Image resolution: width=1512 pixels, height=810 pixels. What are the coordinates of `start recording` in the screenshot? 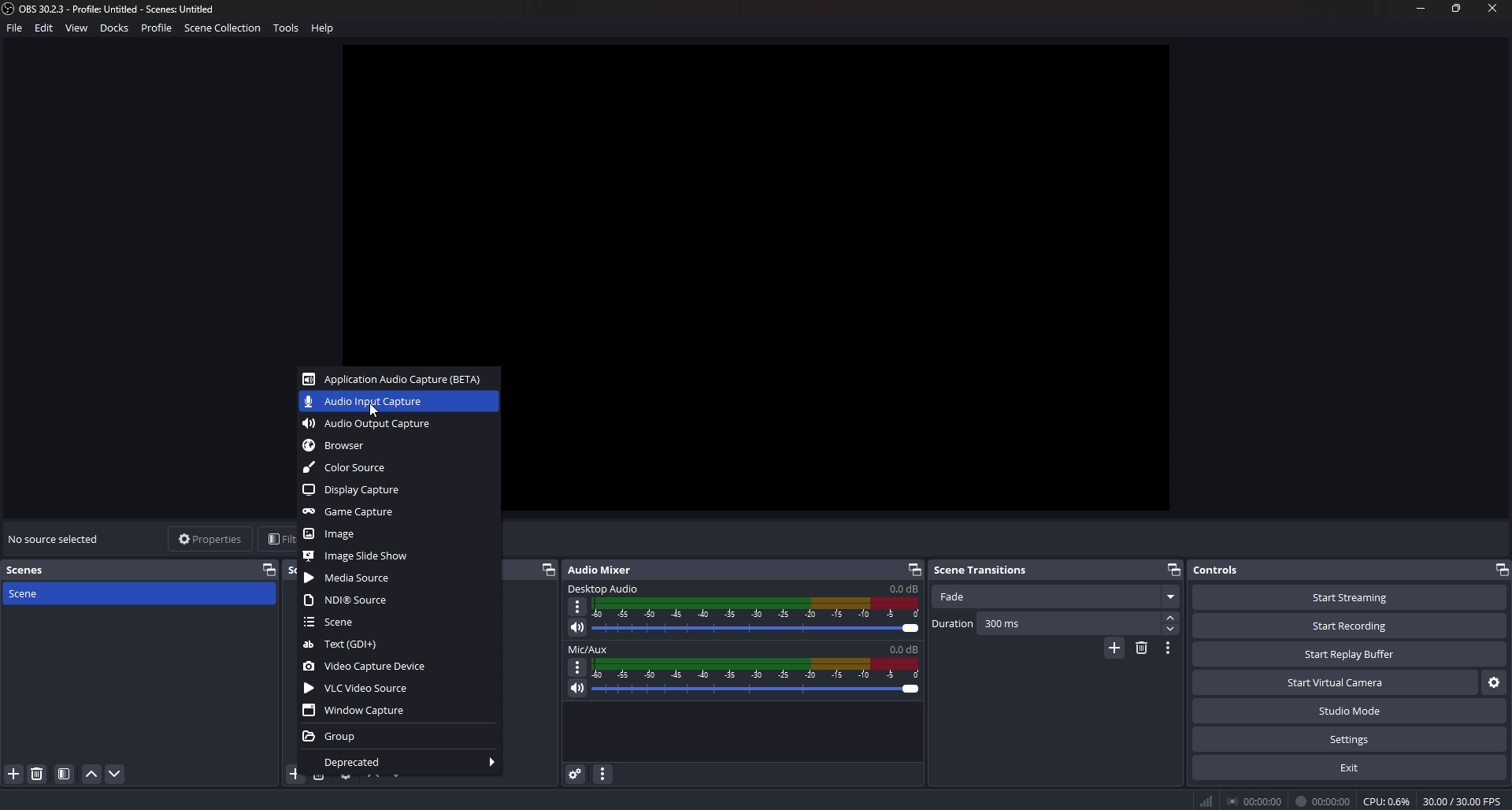 It's located at (1350, 626).